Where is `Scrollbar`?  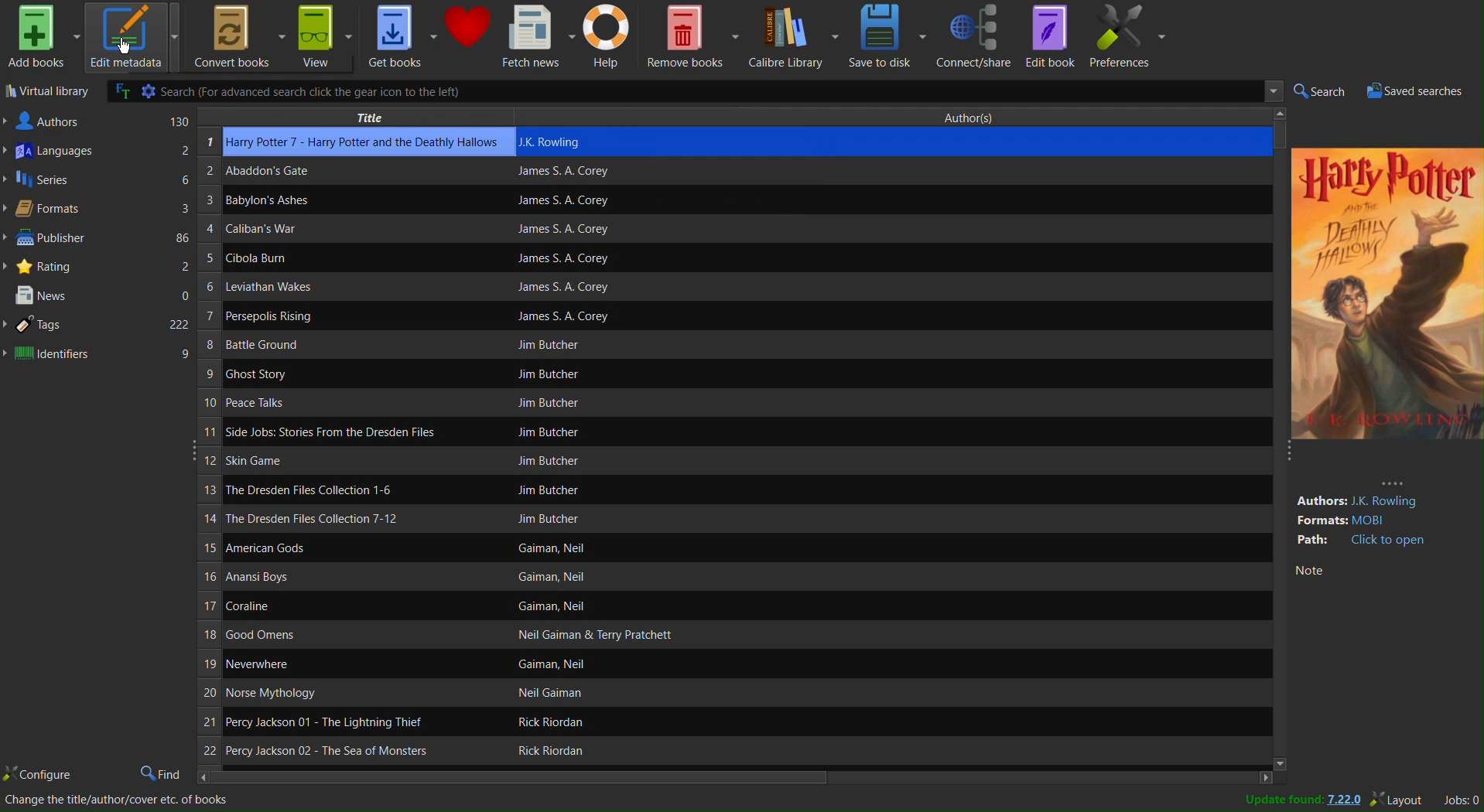
Scrollbar is located at coordinates (744, 779).